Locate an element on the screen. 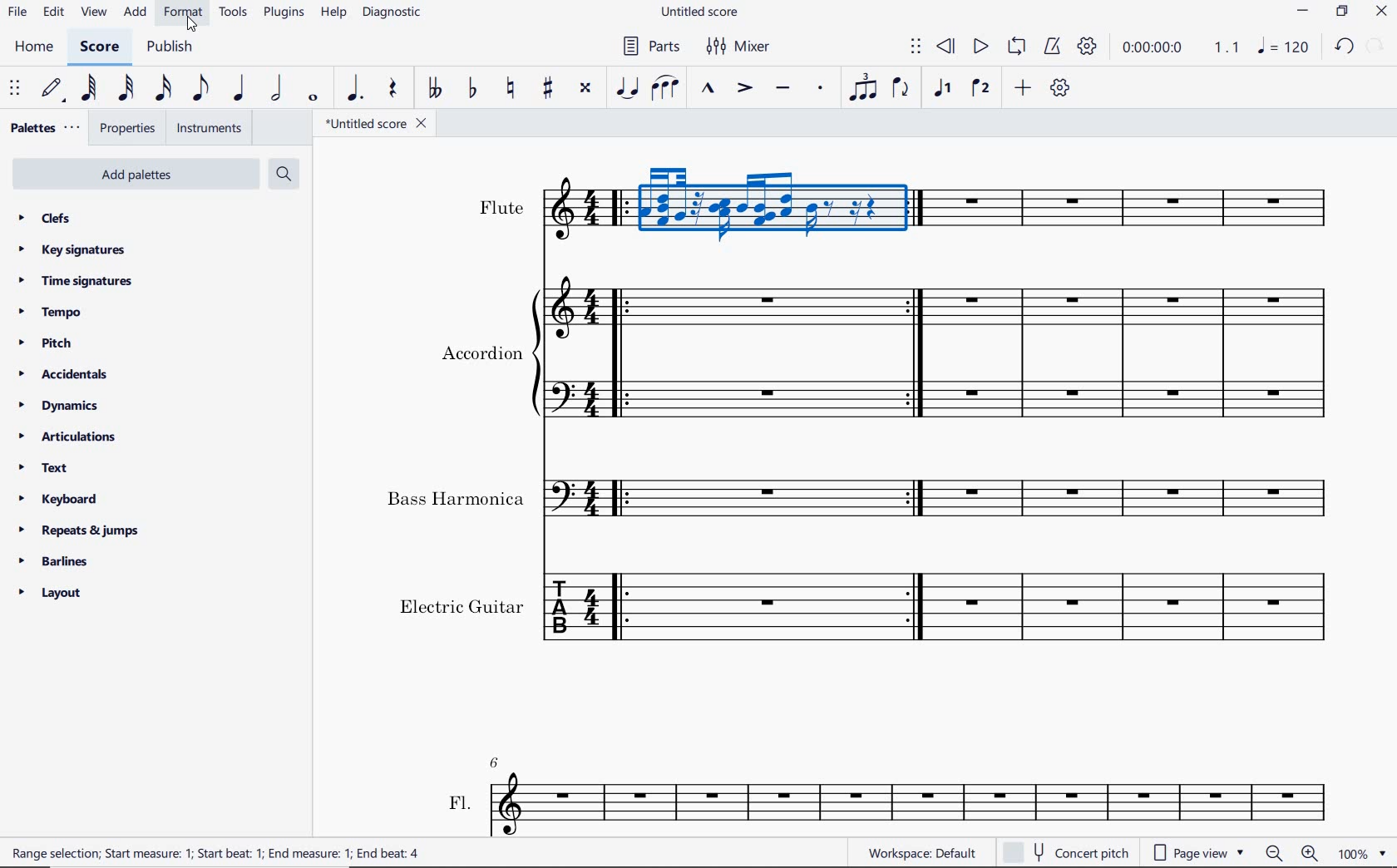  slur is located at coordinates (664, 90).